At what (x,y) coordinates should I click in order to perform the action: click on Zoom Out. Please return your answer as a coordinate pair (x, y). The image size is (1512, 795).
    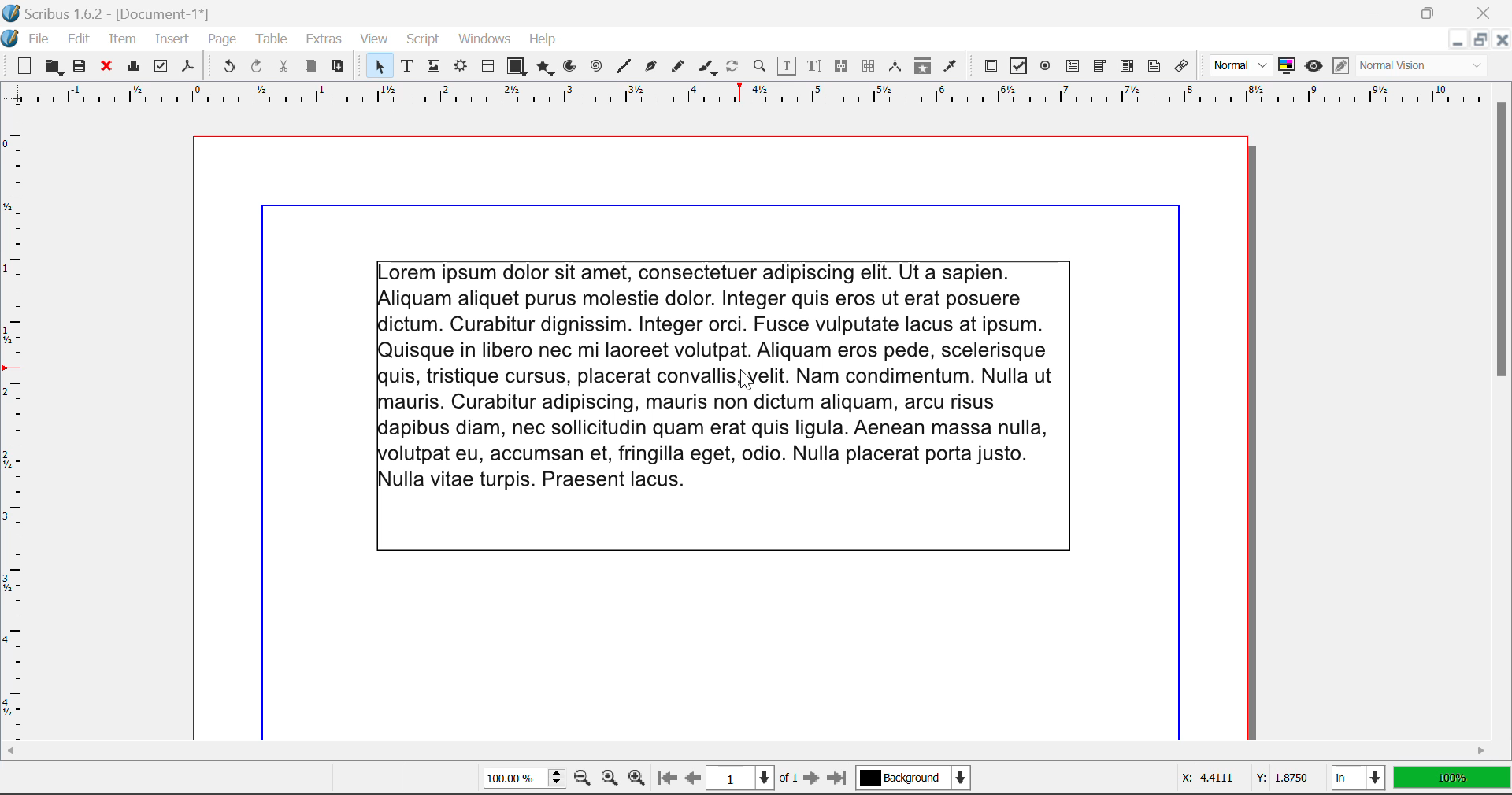
    Looking at the image, I should click on (584, 779).